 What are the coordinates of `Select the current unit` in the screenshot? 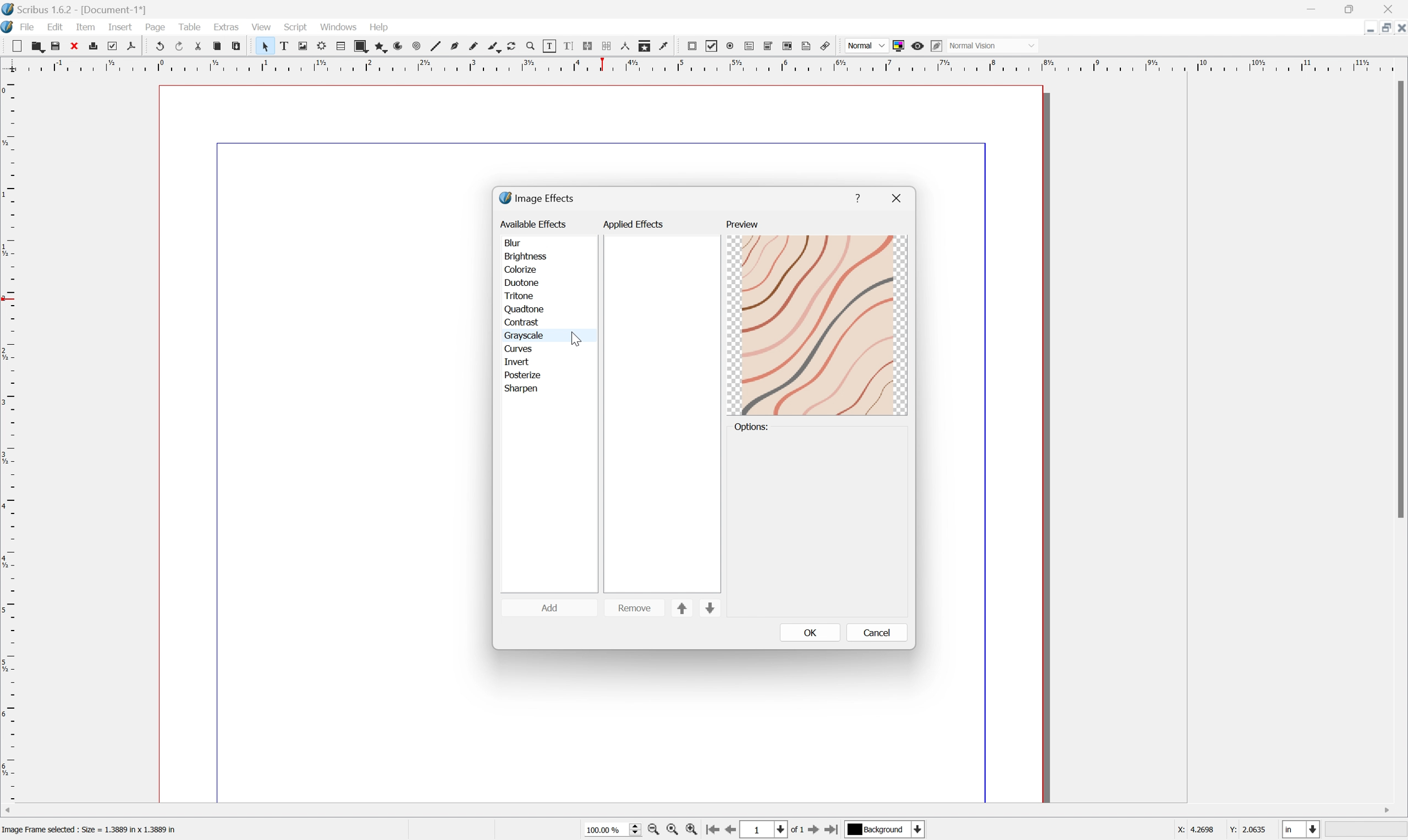 It's located at (1300, 830).